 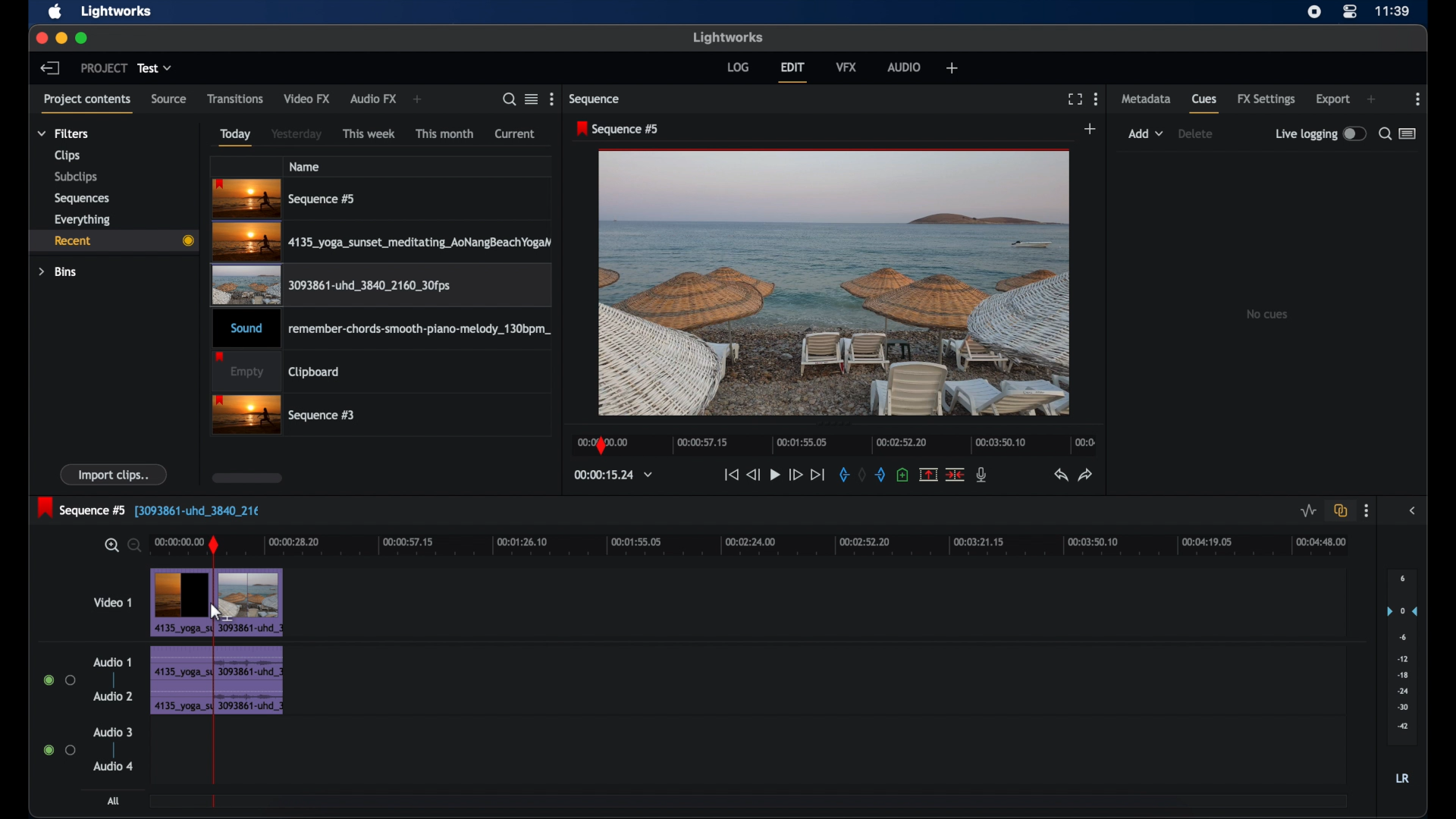 What do you see at coordinates (1341, 510) in the screenshot?
I see `toggle auto track sync` at bounding box center [1341, 510].